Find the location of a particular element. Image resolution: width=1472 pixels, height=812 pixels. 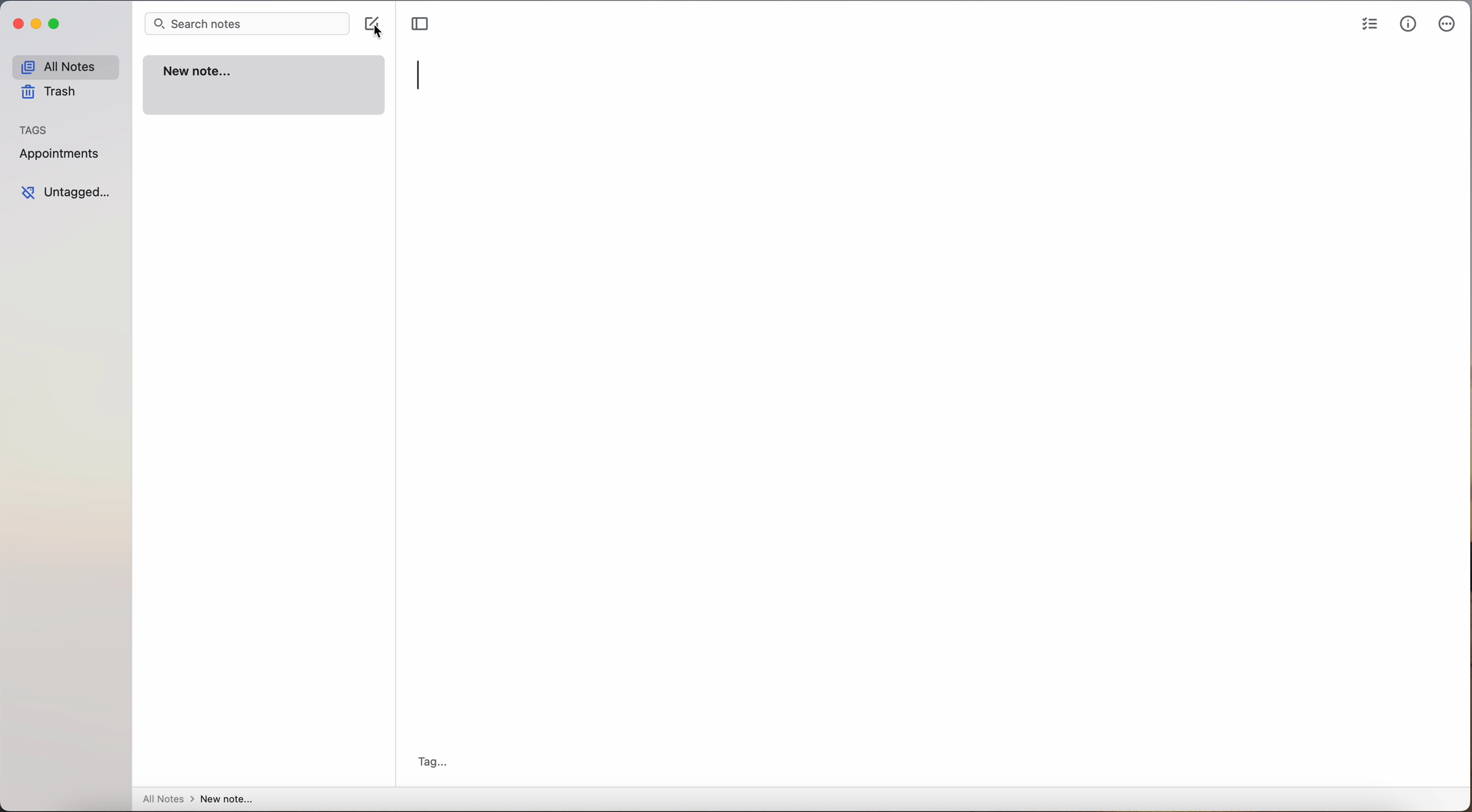

new note is located at coordinates (266, 86).